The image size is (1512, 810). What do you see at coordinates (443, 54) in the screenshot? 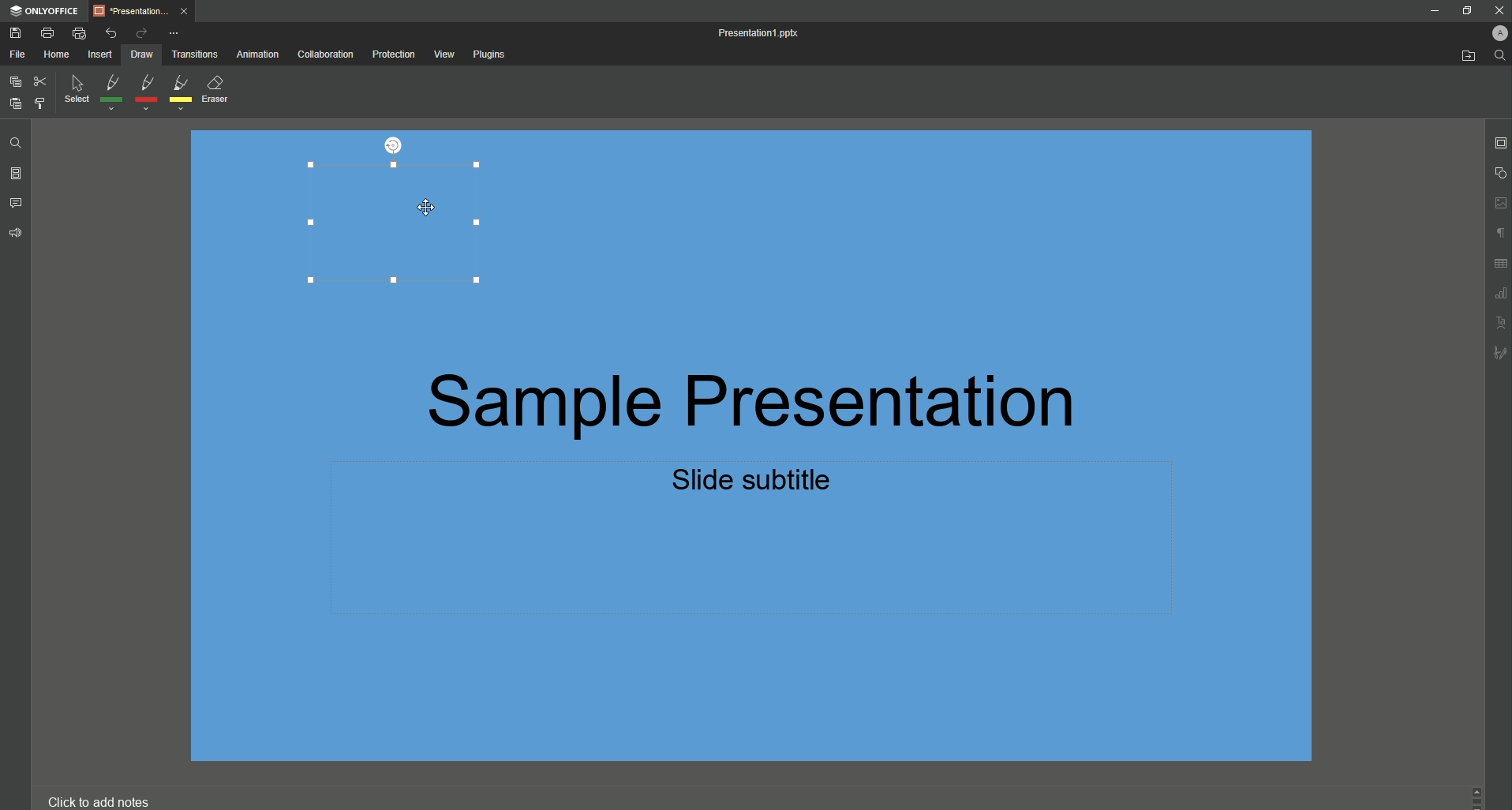
I see `View` at bounding box center [443, 54].